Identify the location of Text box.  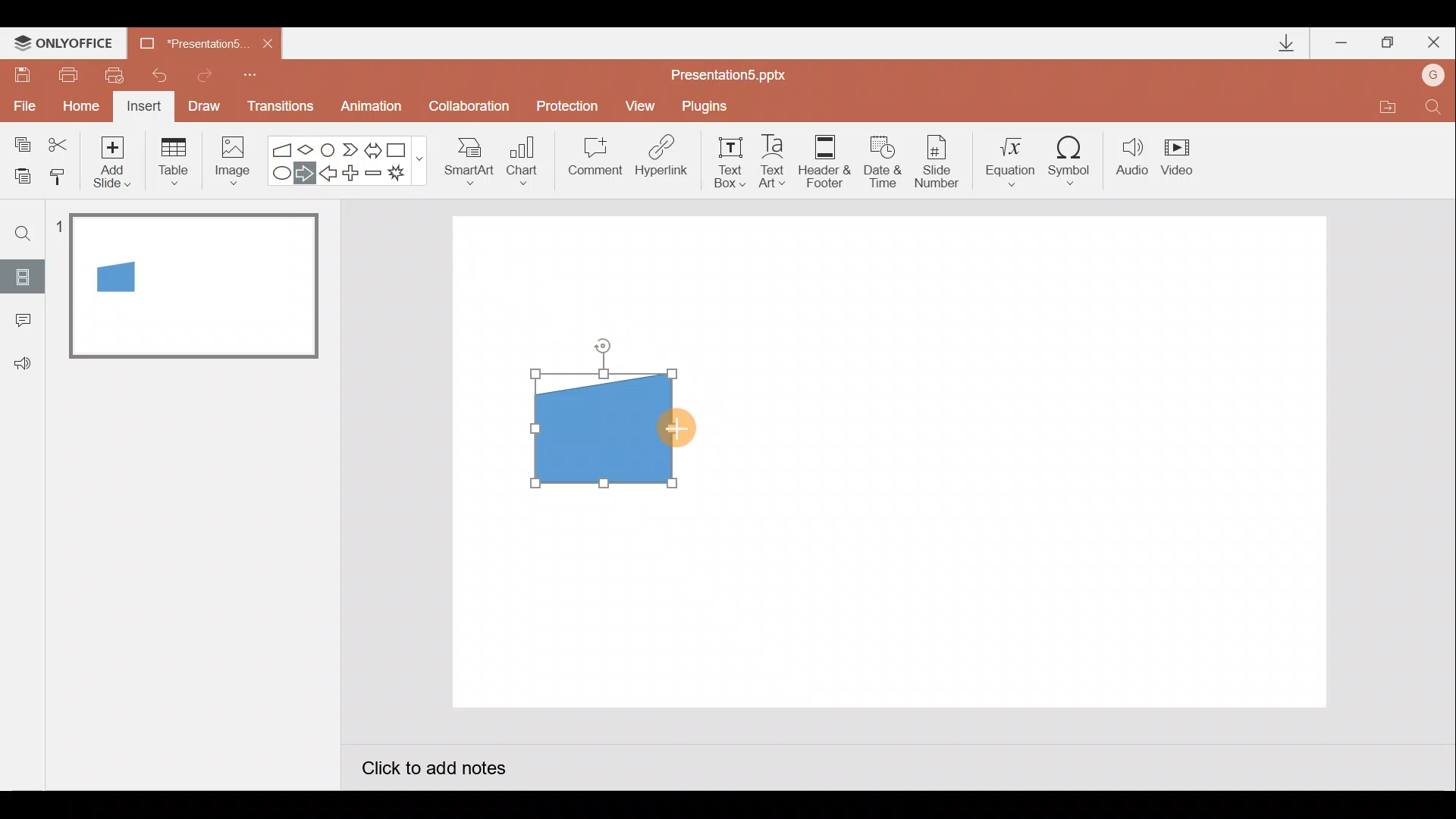
(725, 160).